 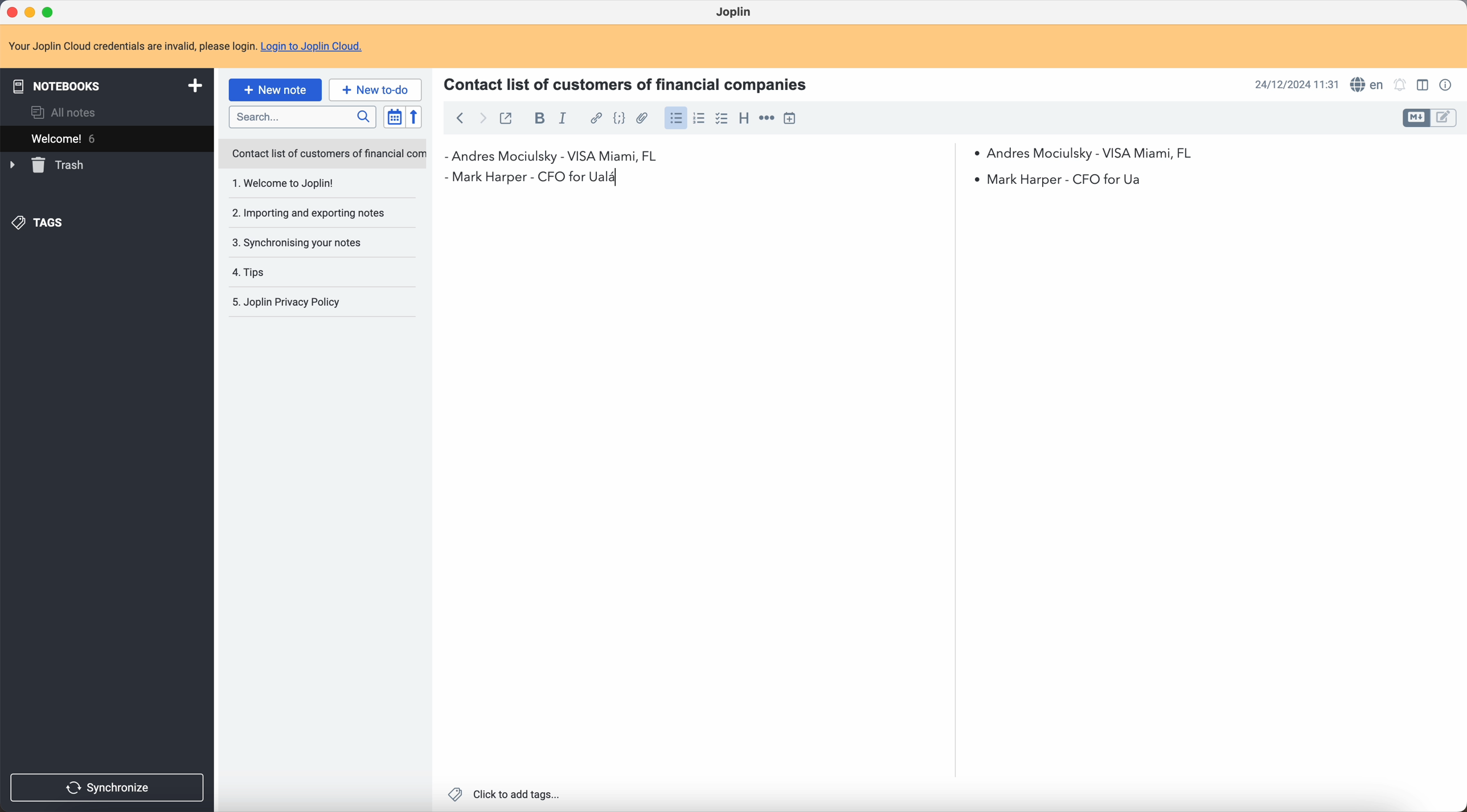 I want to click on foward, so click(x=483, y=119).